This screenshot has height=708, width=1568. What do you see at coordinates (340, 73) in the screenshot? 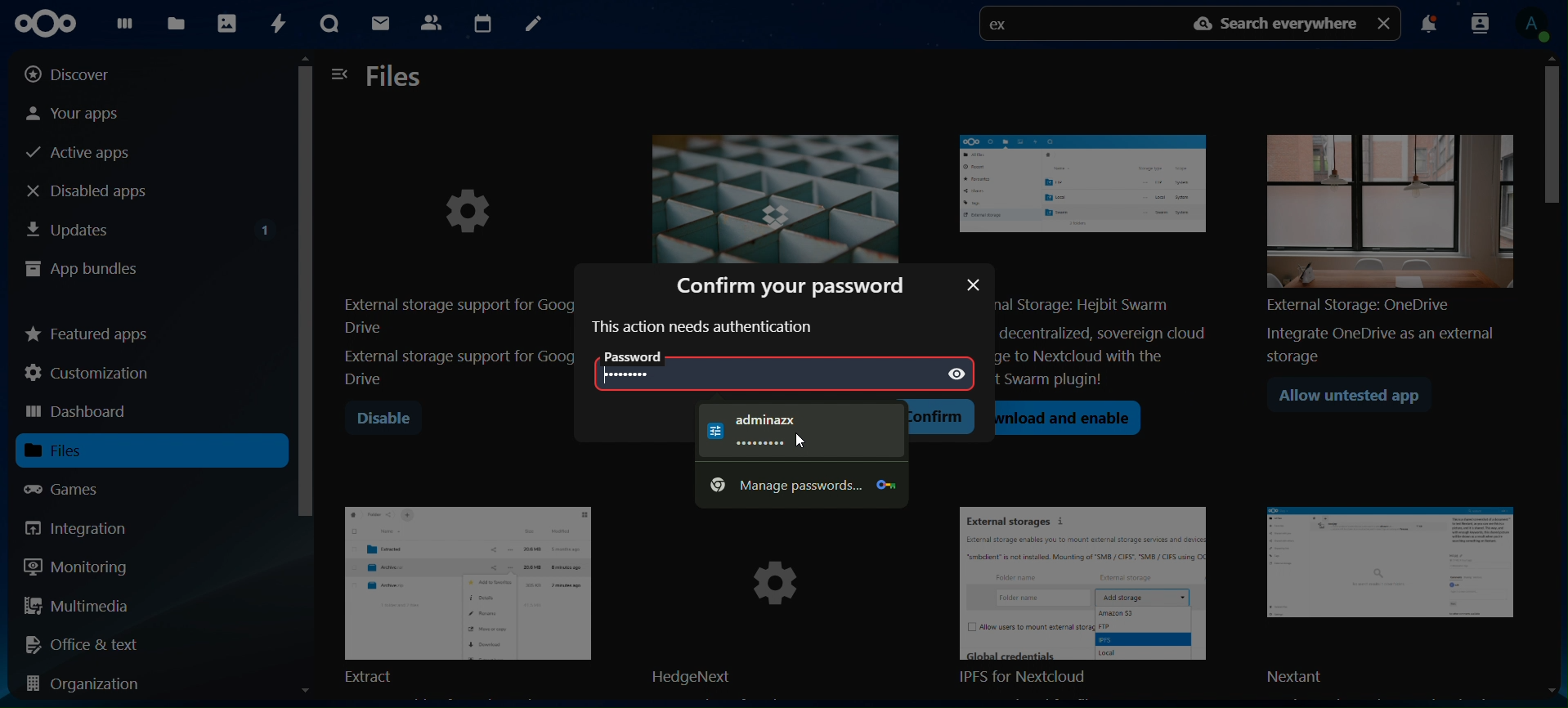
I see `close navigation` at bounding box center [340, 73].